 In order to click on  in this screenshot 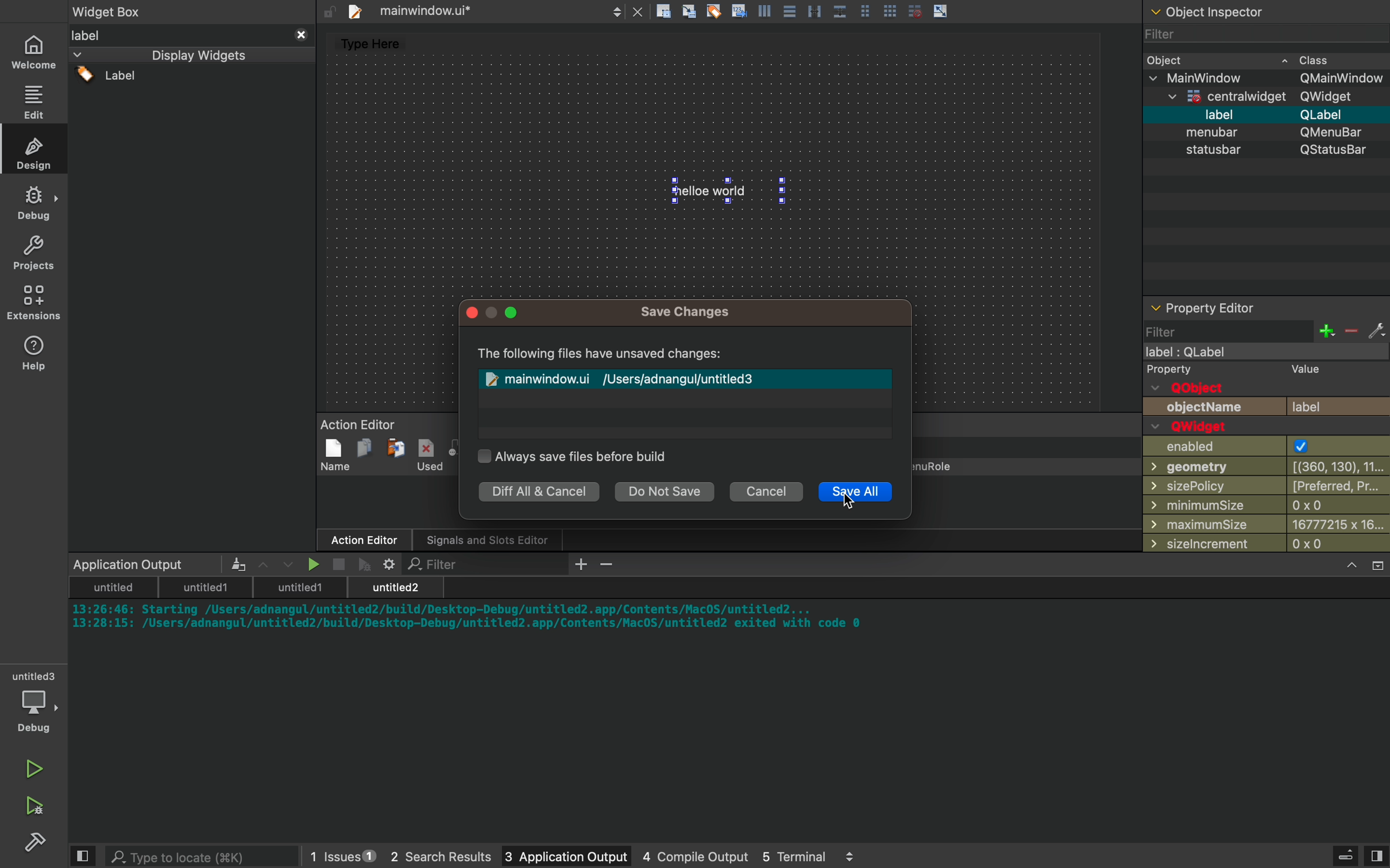, I will do `click(764, 491)`.